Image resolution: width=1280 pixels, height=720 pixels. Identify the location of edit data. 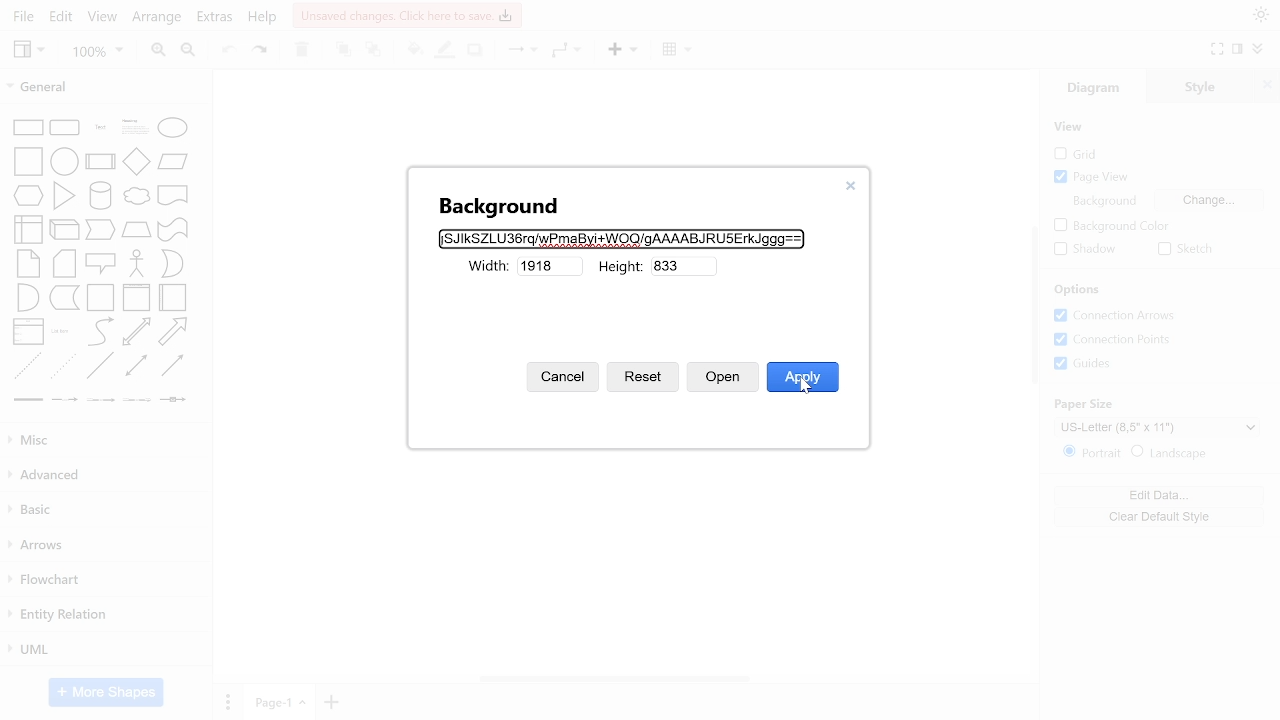
(1162, 495).